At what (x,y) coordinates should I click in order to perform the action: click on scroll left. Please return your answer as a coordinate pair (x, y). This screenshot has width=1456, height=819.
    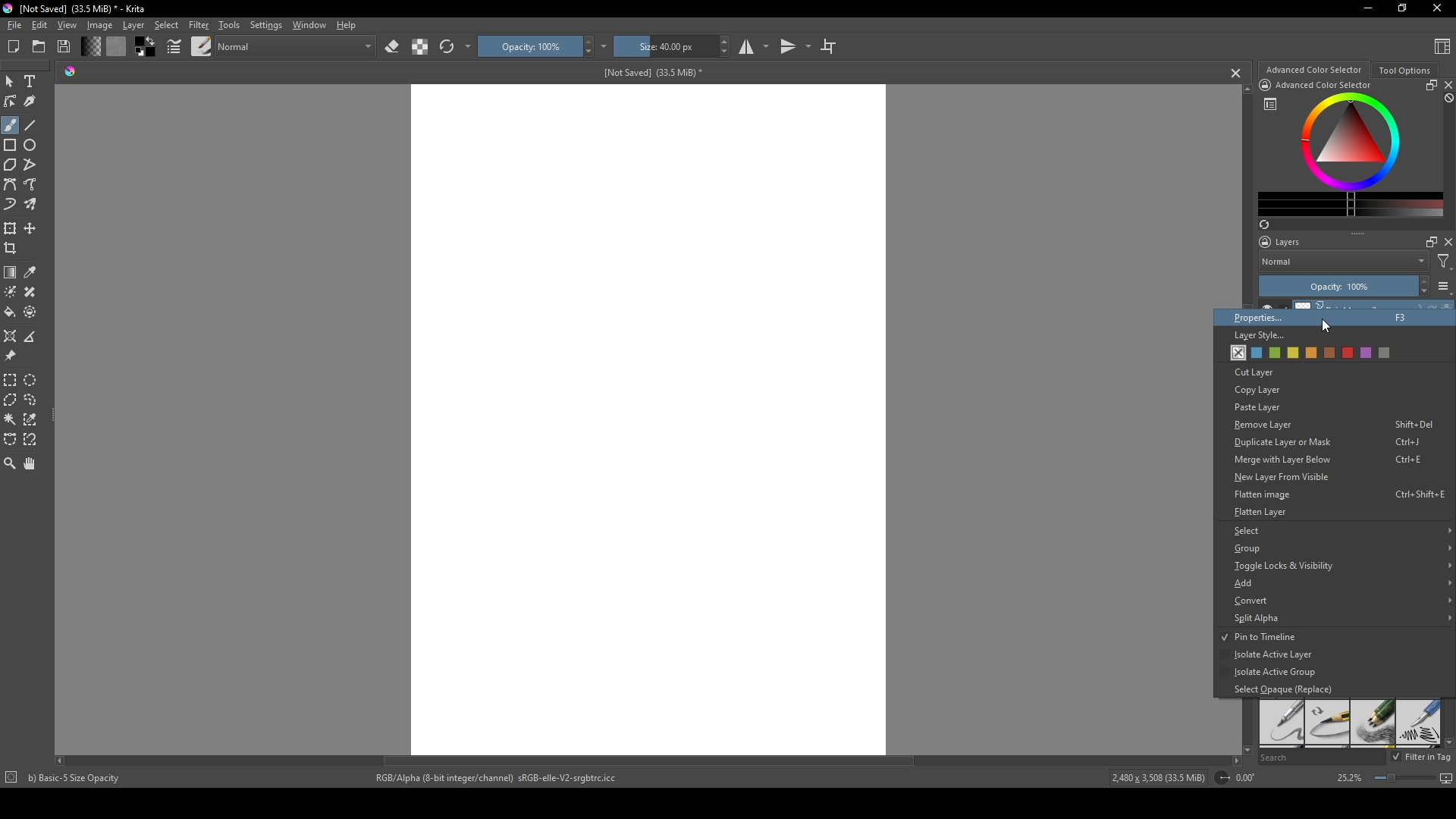
    Looking at the image, I should click on (63, 761).